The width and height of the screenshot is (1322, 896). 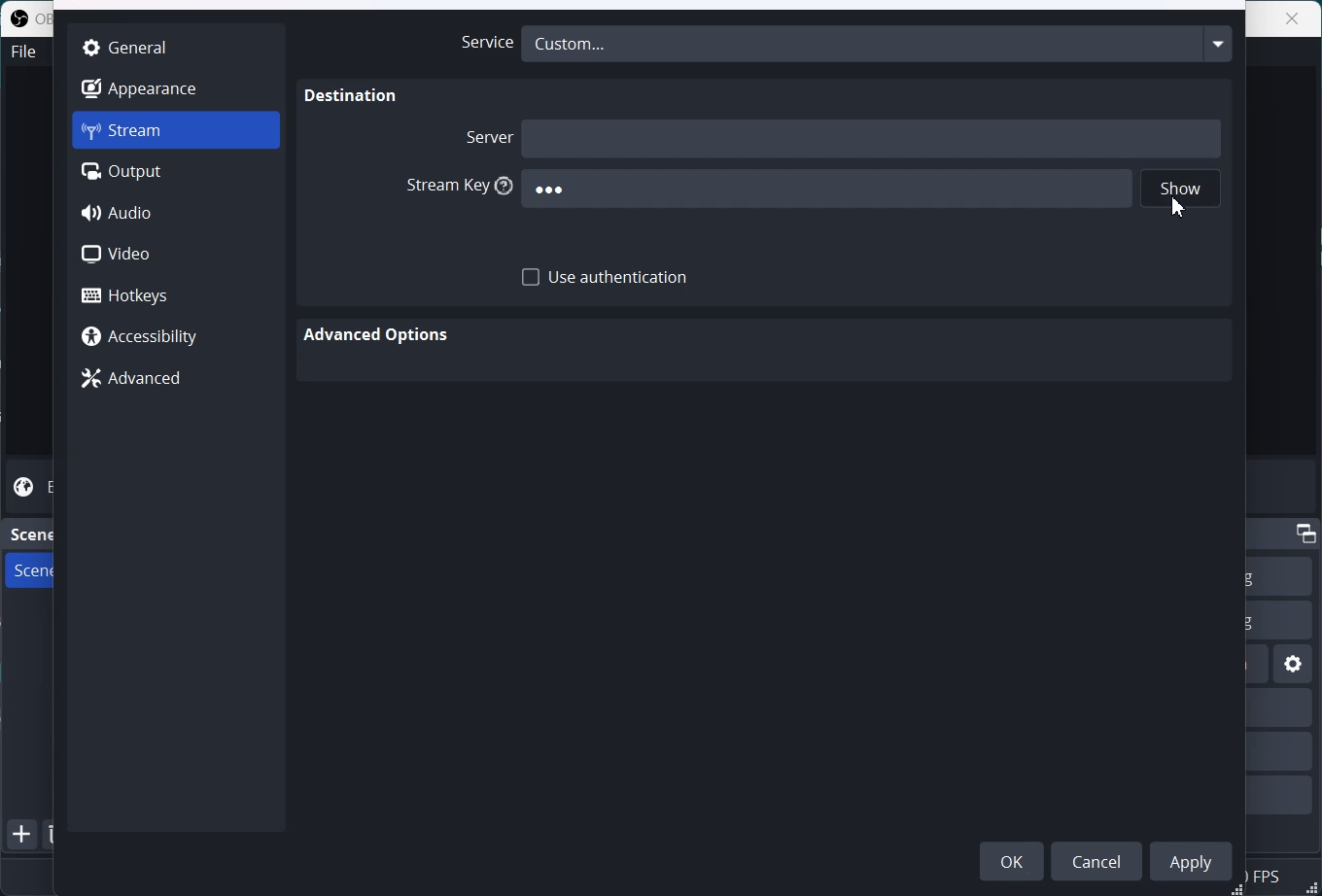 I want to click on OK, so click(x=1012, y=860).